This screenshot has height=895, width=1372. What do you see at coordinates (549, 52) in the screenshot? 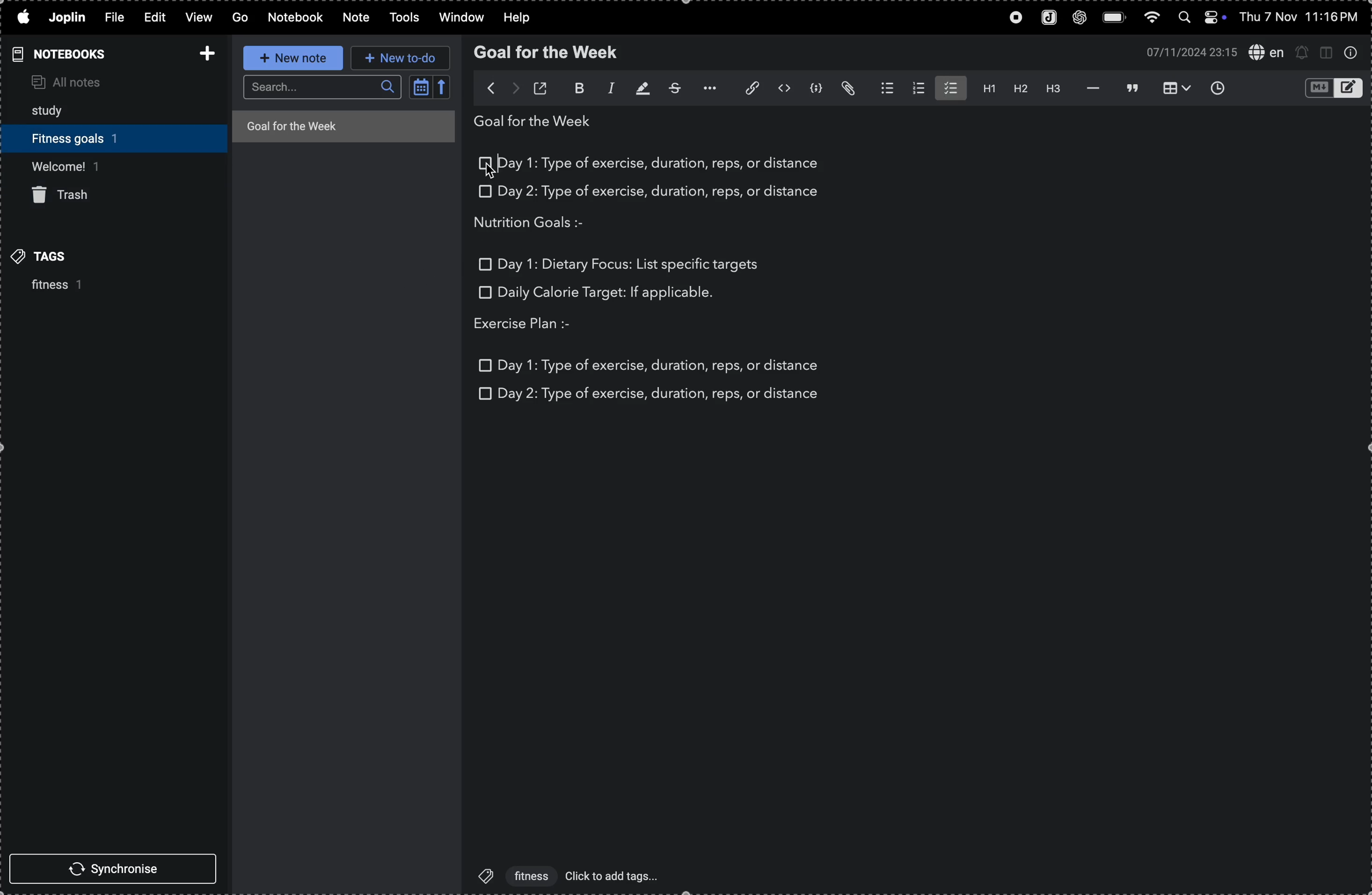
I see `goal for the week` at bounding box center [549, 52].